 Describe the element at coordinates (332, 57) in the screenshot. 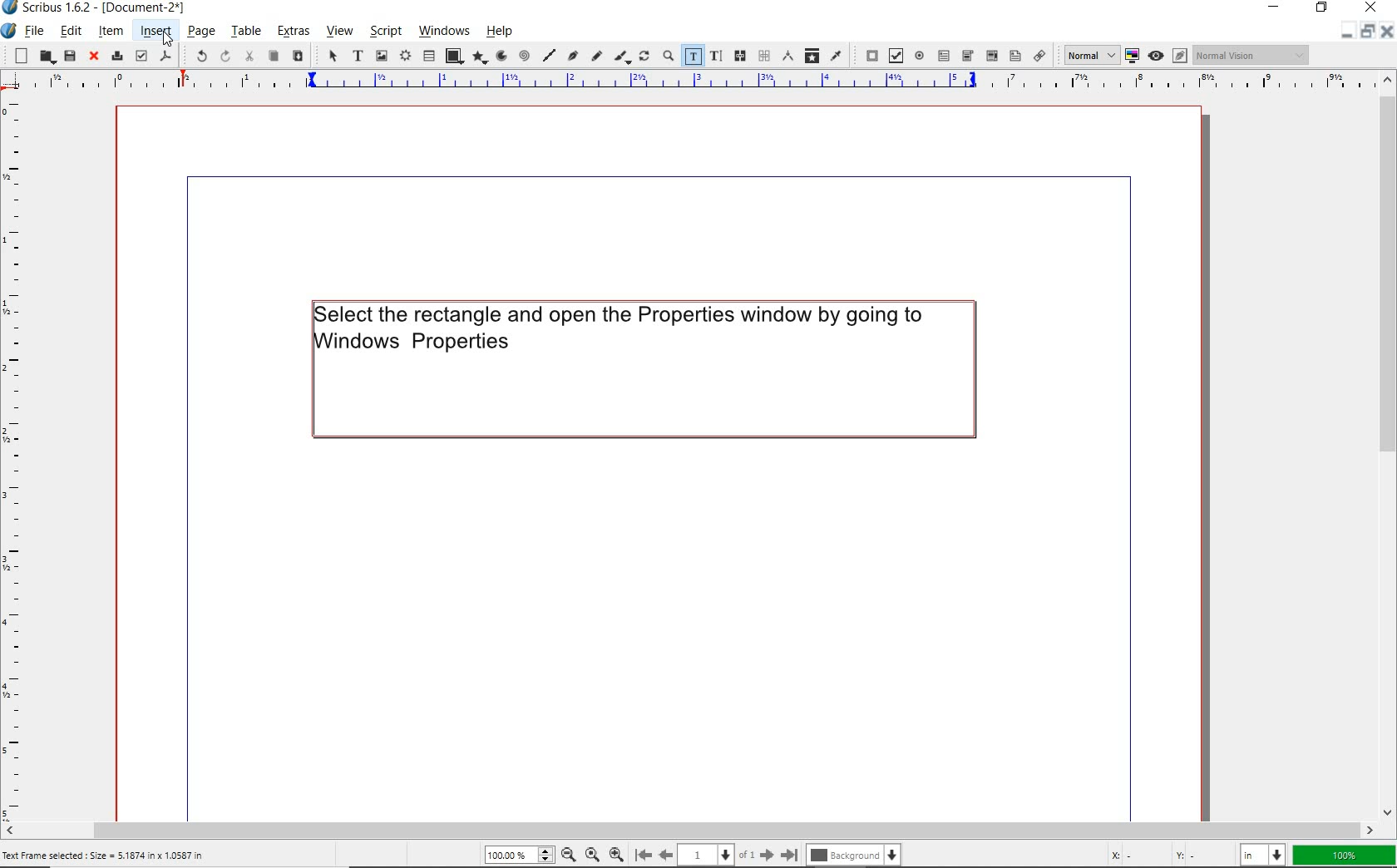

I see `select item` at that location.